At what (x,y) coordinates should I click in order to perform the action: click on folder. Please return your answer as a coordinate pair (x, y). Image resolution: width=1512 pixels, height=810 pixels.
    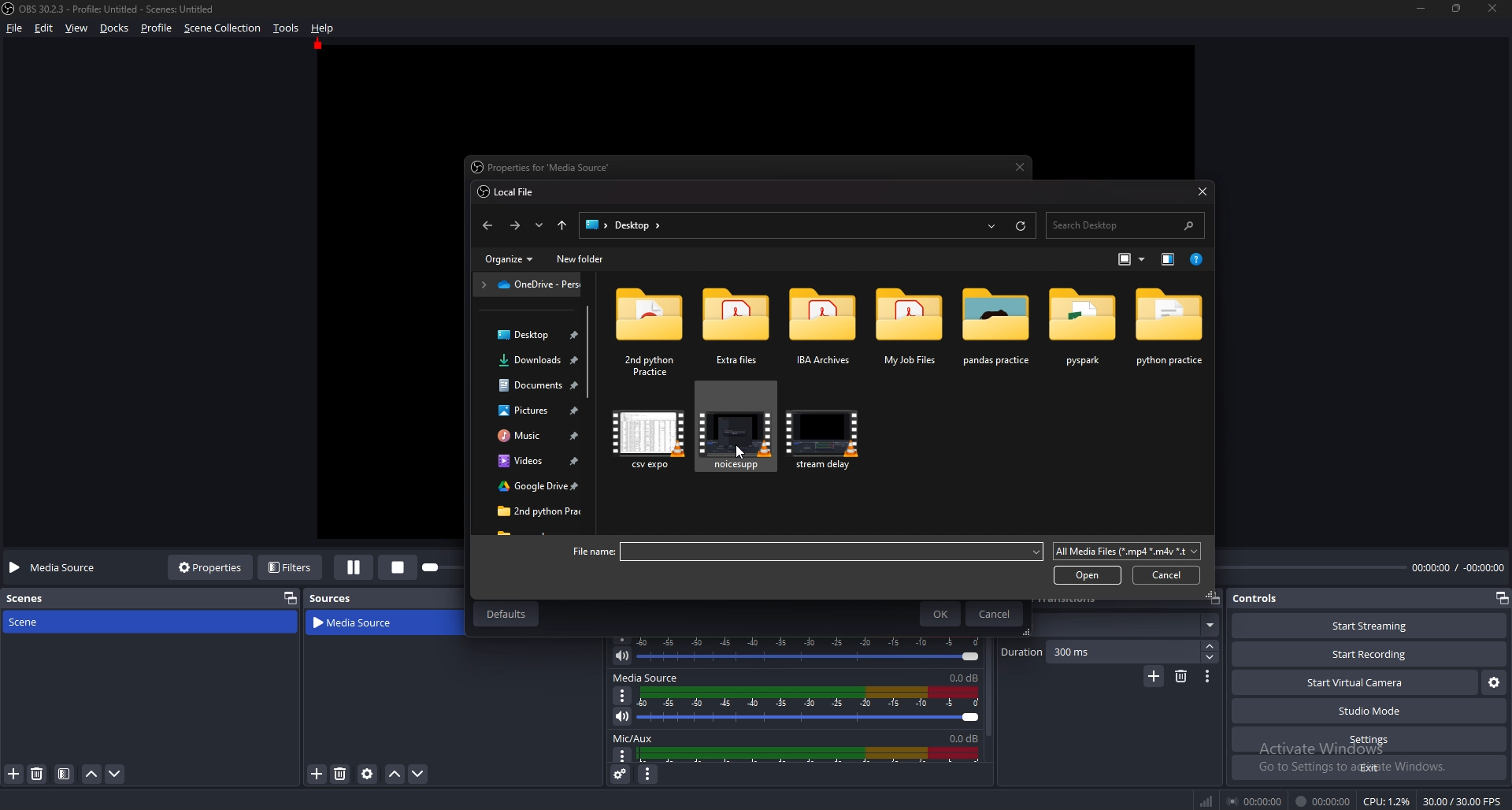
    Looking at the image, I should click on (650, 329).